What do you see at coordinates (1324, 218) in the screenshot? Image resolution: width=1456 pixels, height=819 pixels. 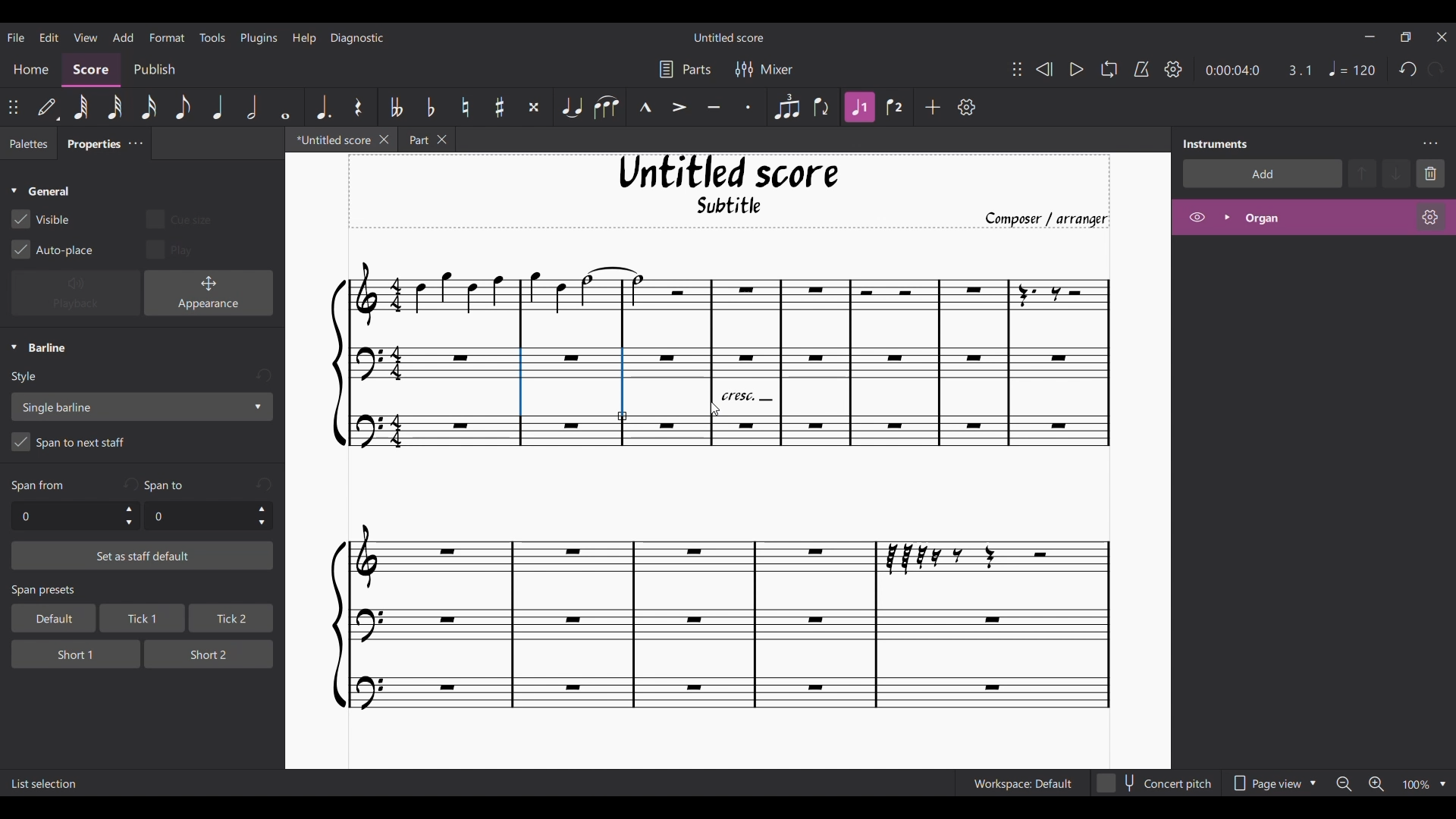 I see `Organ` at bounding box center [1324, 218].